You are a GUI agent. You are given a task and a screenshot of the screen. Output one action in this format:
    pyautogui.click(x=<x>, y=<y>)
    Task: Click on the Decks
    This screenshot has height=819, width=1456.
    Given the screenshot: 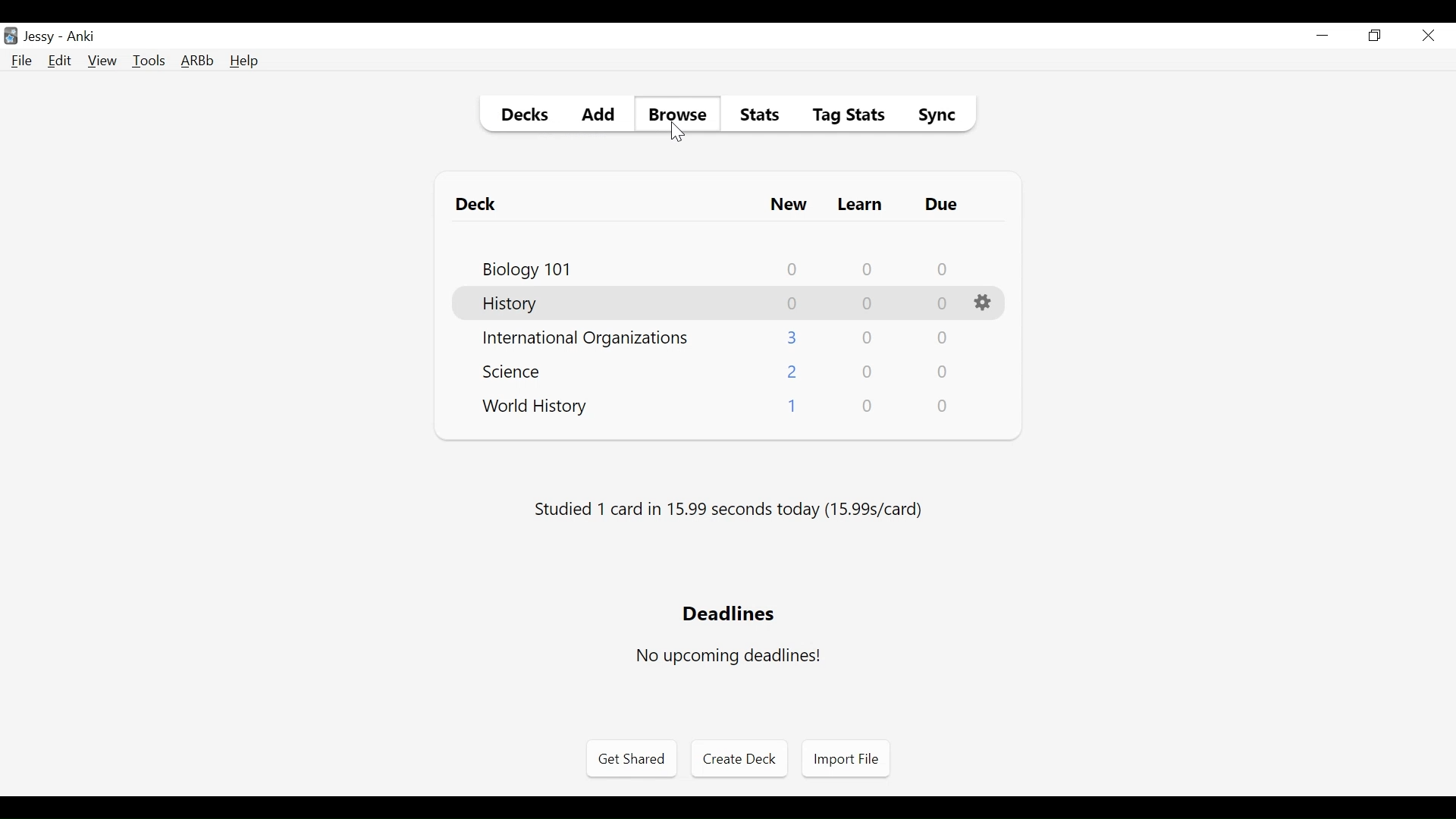 What is the action you would take?
    pyautogui.click(x=521, y=115)
    